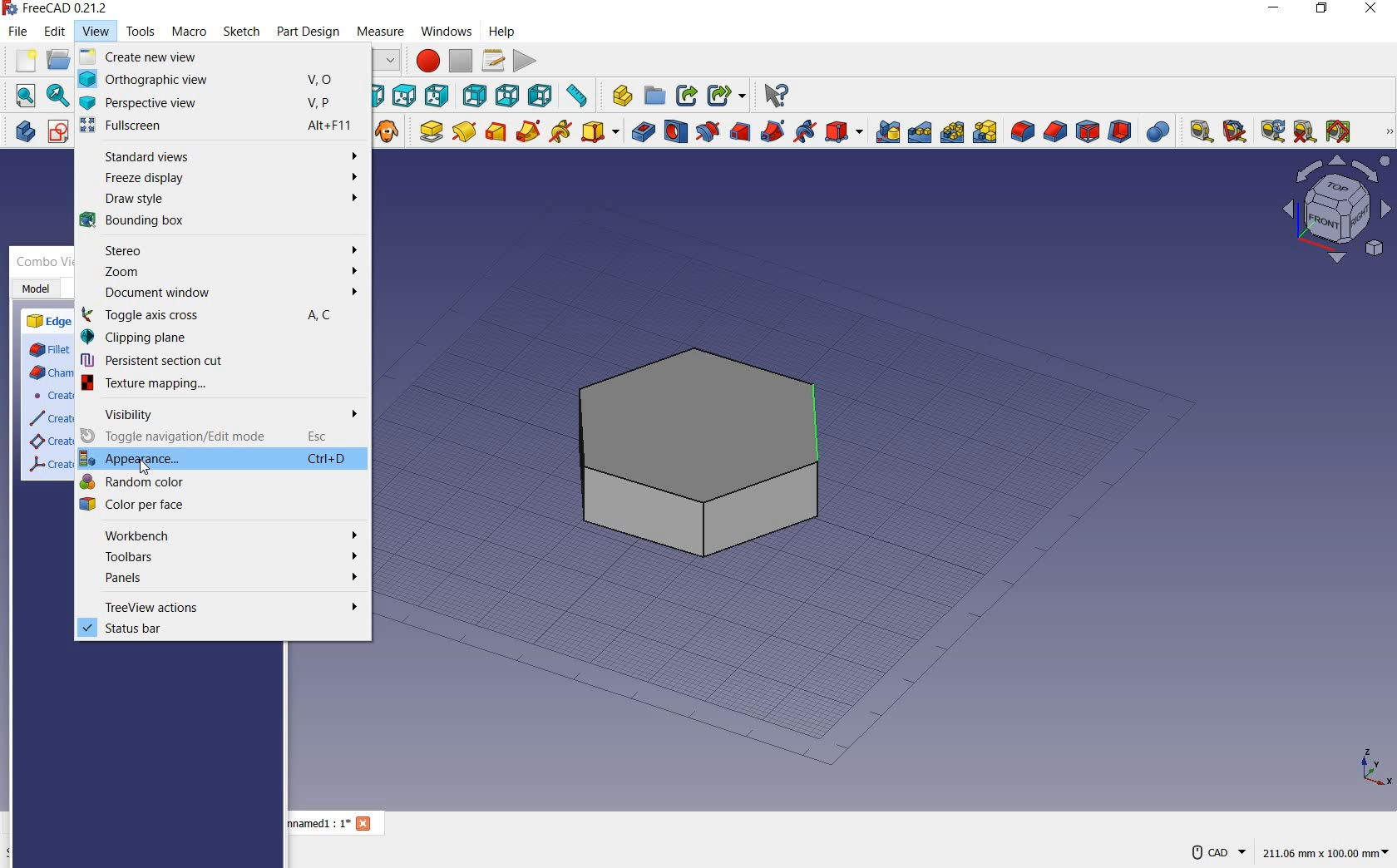 The height and width of the screenshot is (868, 1397). What do you see at coordinates (382, 31) in the screenshot?
I see `measure` at bounding box center [382, 31].